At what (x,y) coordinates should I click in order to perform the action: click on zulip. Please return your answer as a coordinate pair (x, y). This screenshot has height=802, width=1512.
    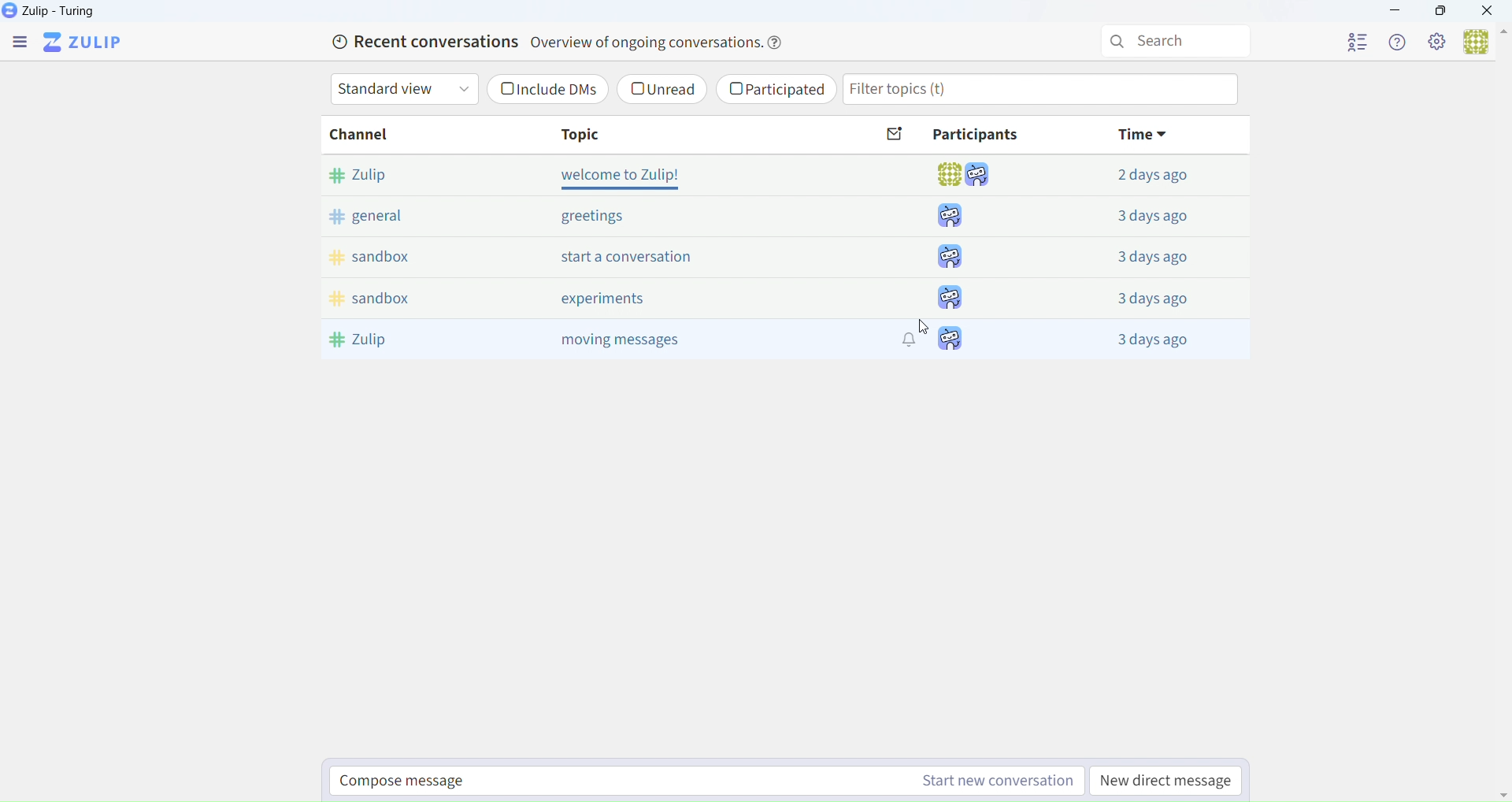
    Looking at the image, I should click on (373, 343).